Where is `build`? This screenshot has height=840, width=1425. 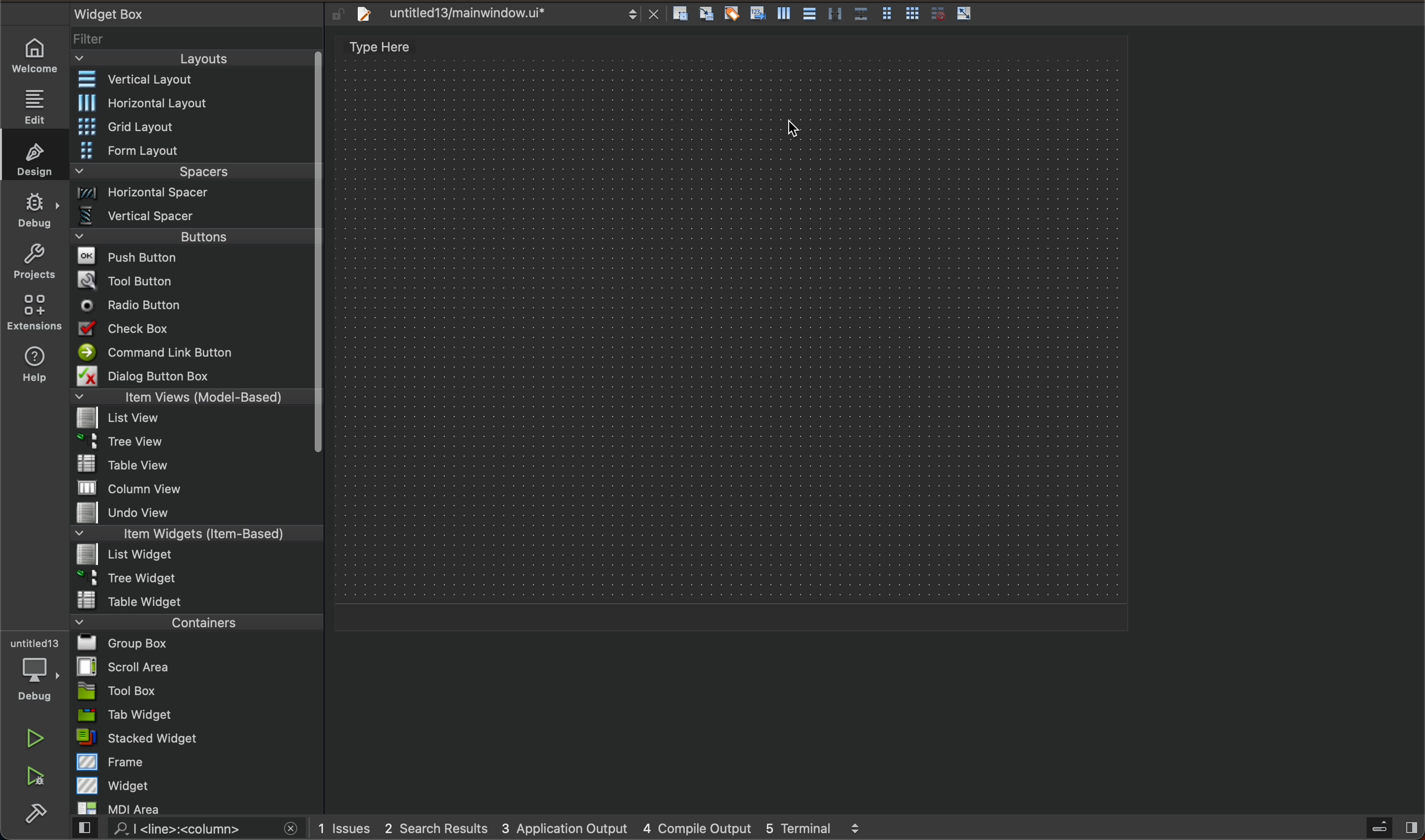 build is located at coordinates (40, 811).